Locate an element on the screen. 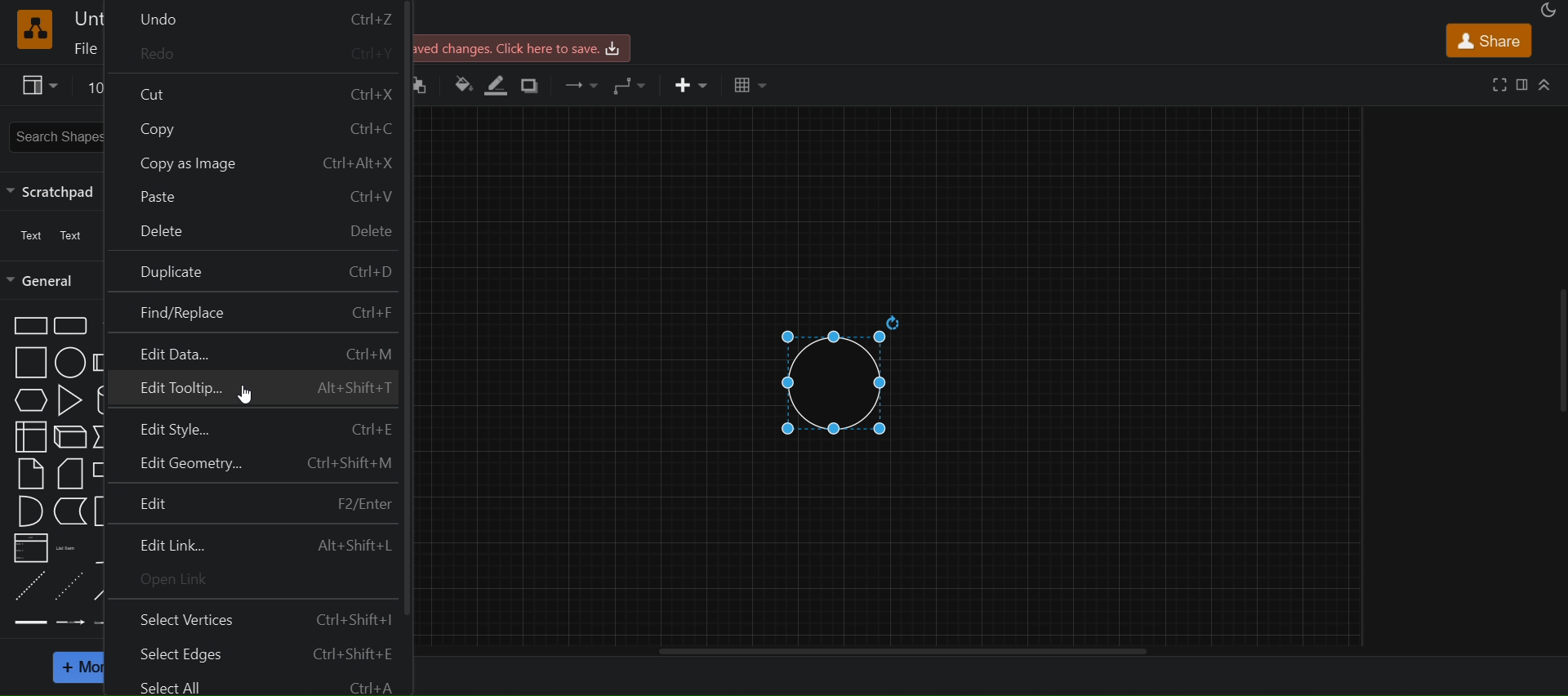  cursor is located at coordinates (246, 395).